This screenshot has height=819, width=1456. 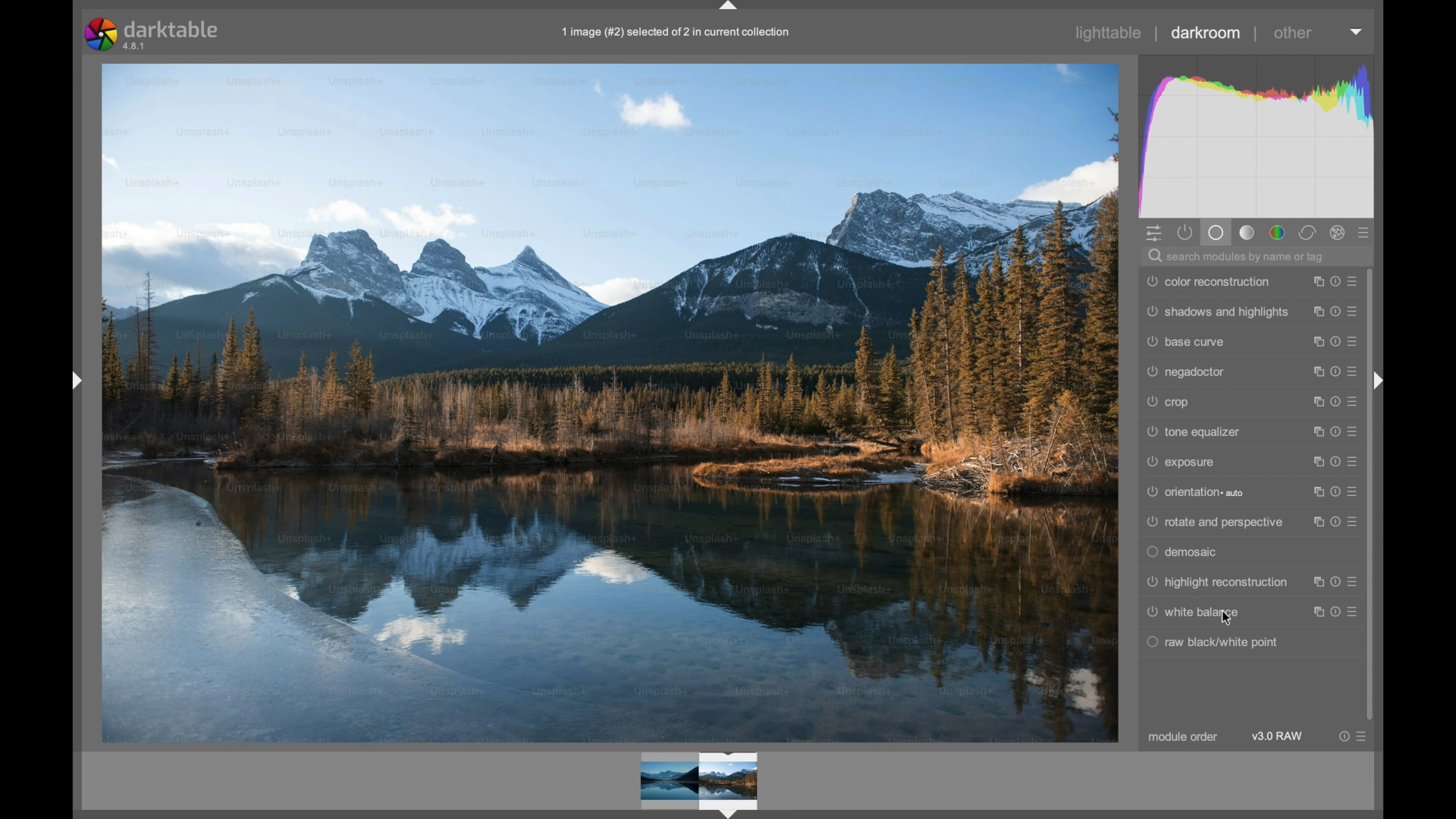 I want to click on instance, so click(x=1316, y=492).